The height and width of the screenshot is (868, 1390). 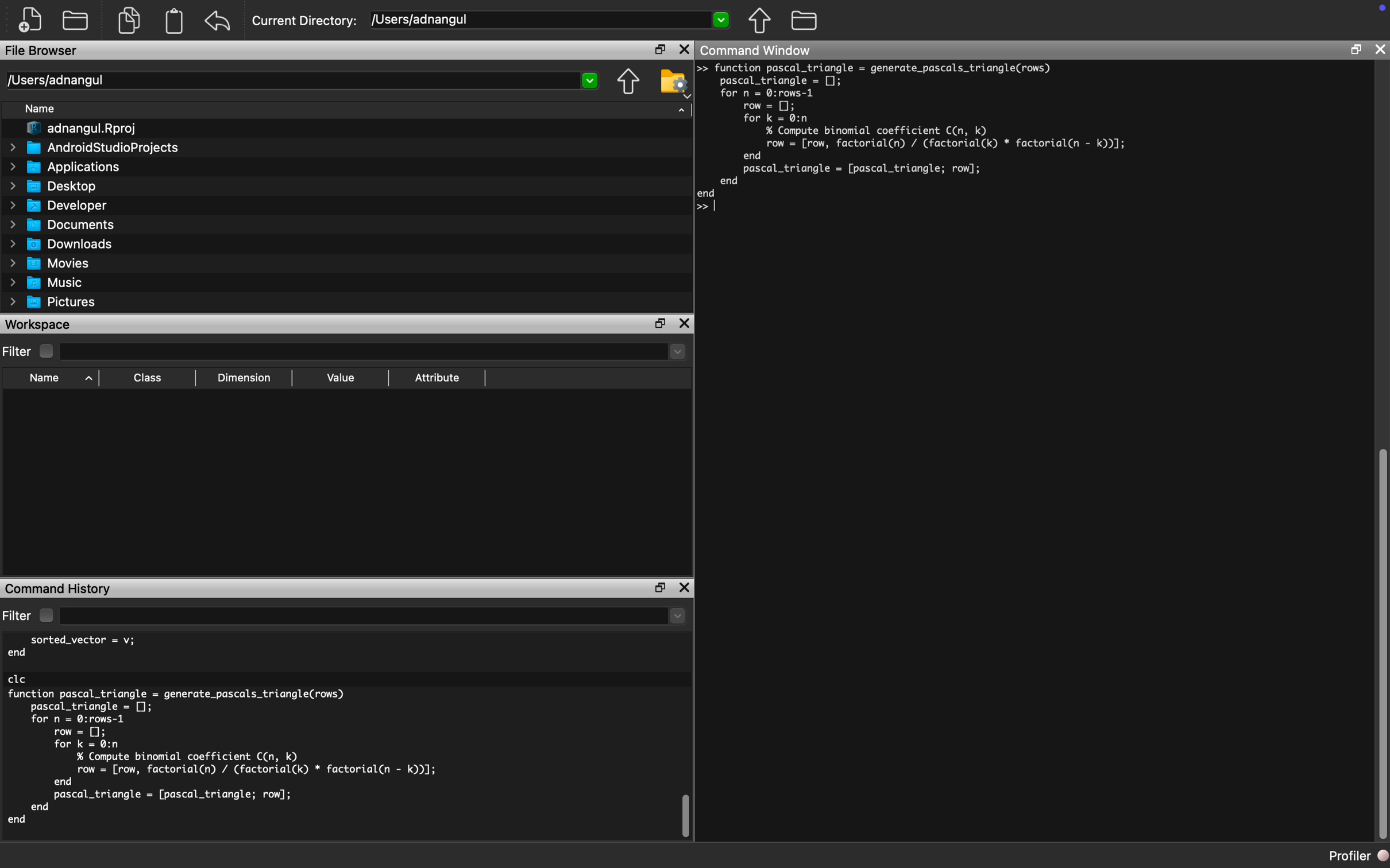 What do you see at coordinates (661, 324) in the screenshot?
I see `Restore Down` at bounding box center [661, 324].